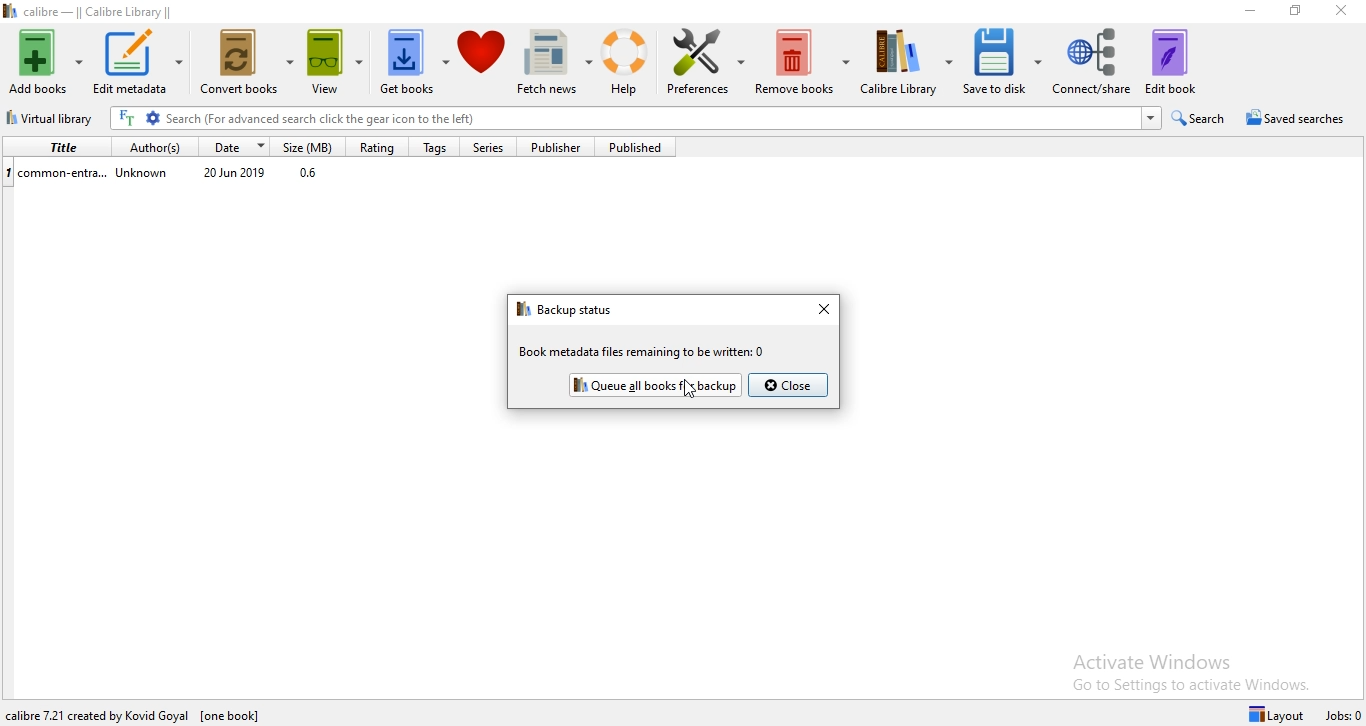  I want to click on backup status, so click(567, 310).